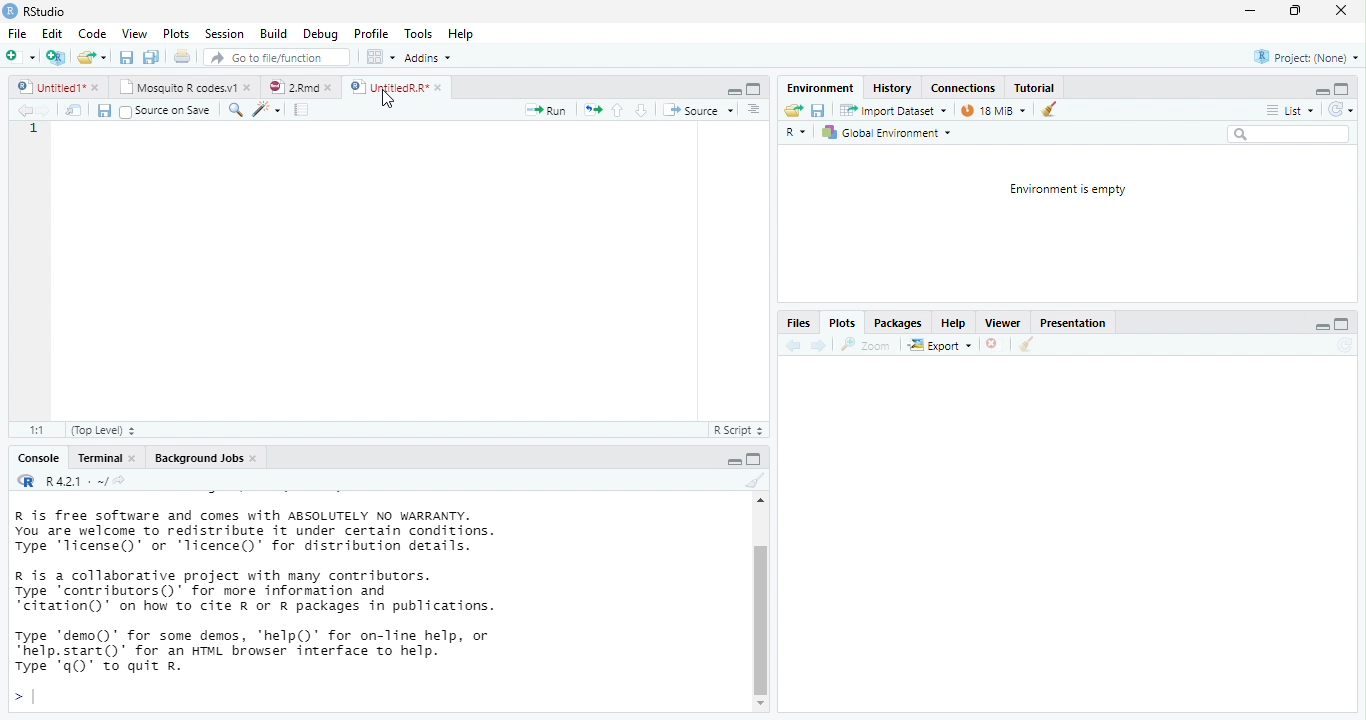 This screenshot has height=720, width=1366. I want to click on 1:1, so click(34, 431).